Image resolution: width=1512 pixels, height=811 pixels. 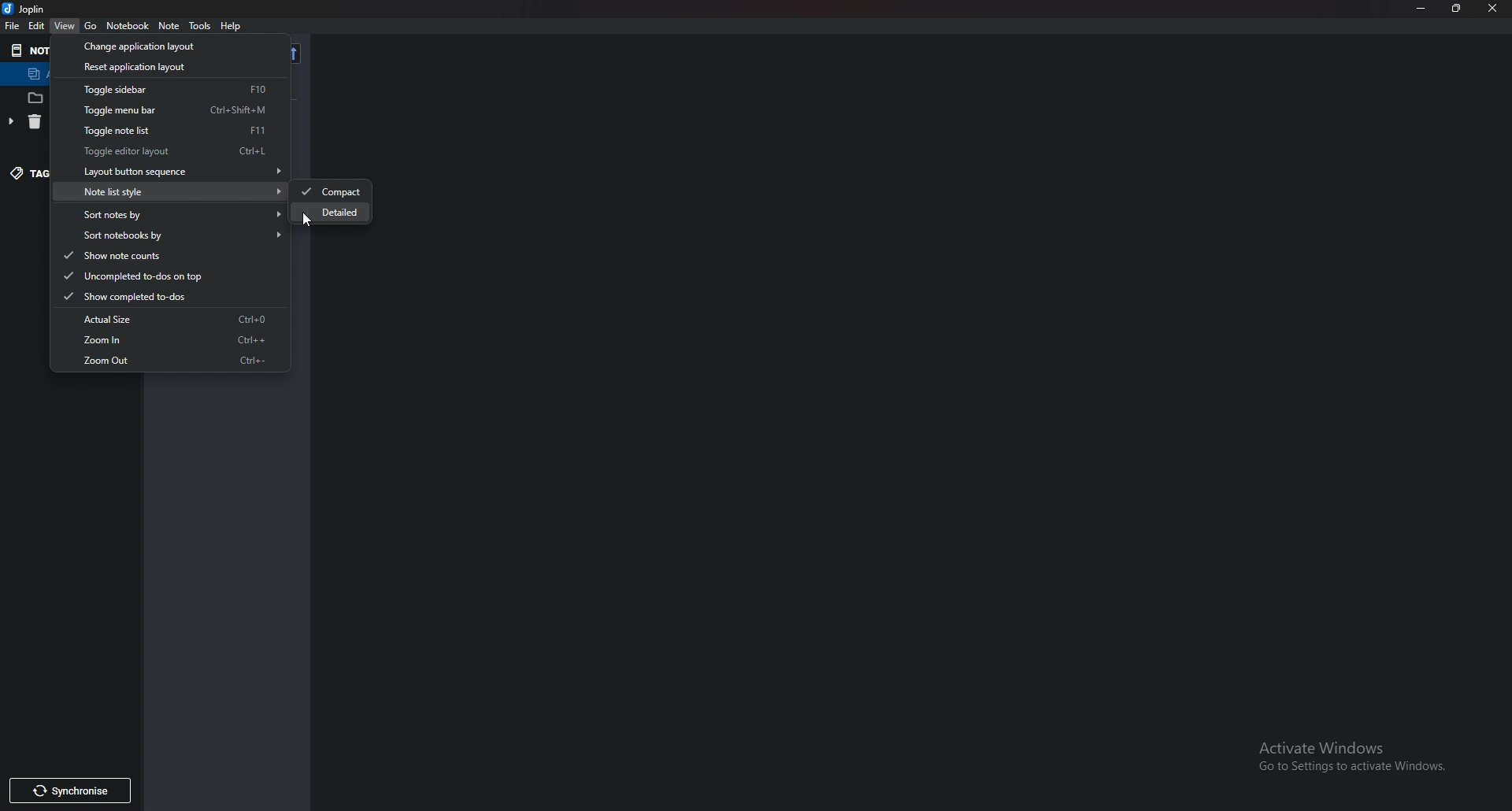 I want to click on Show completed to dos, so click(x=163, y=298).